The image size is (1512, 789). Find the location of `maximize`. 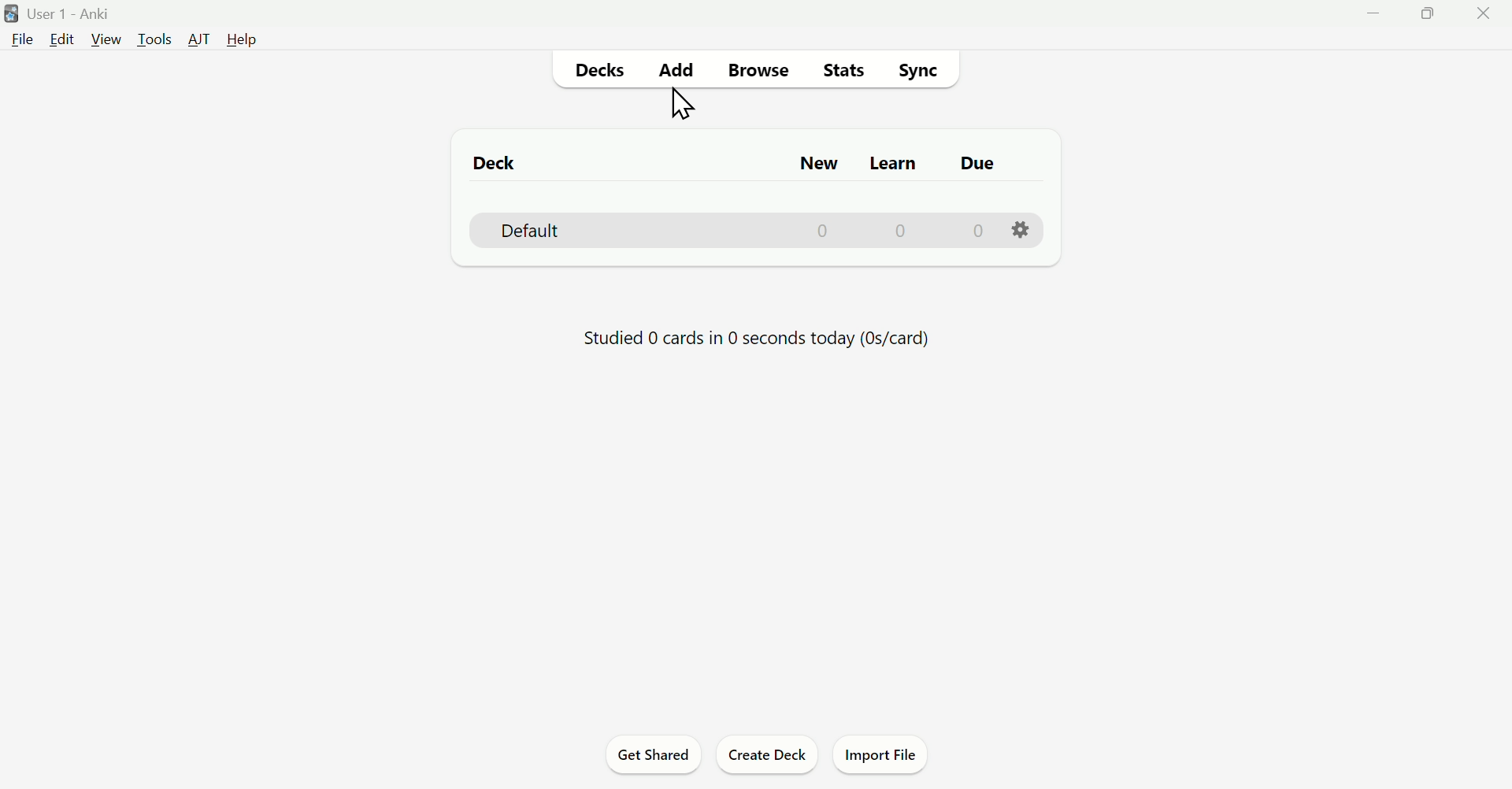

maximize is located at coordinates (1429, 13).